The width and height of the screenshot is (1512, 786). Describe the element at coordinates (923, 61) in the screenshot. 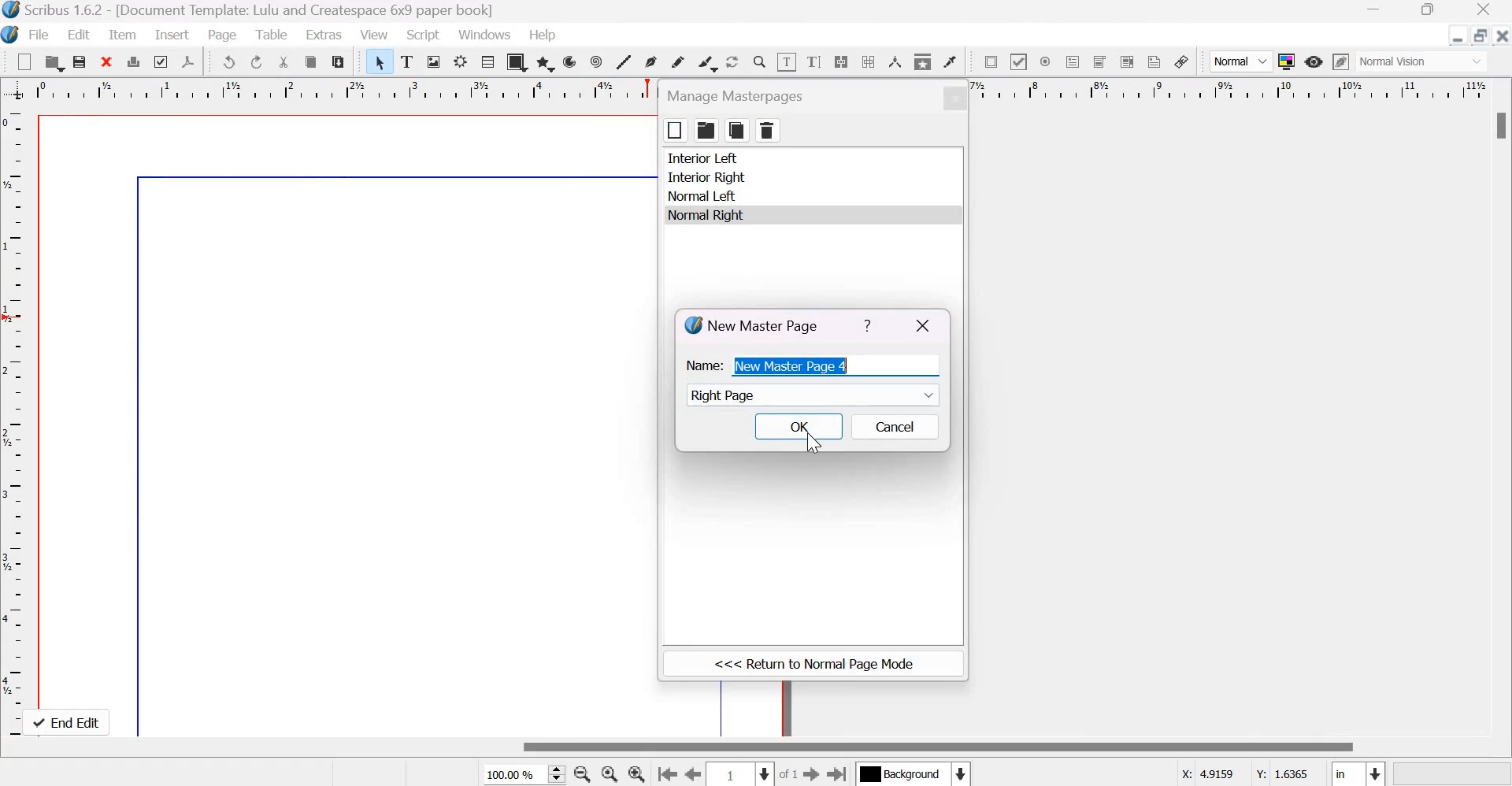

I see `Copy item properties` at that location.